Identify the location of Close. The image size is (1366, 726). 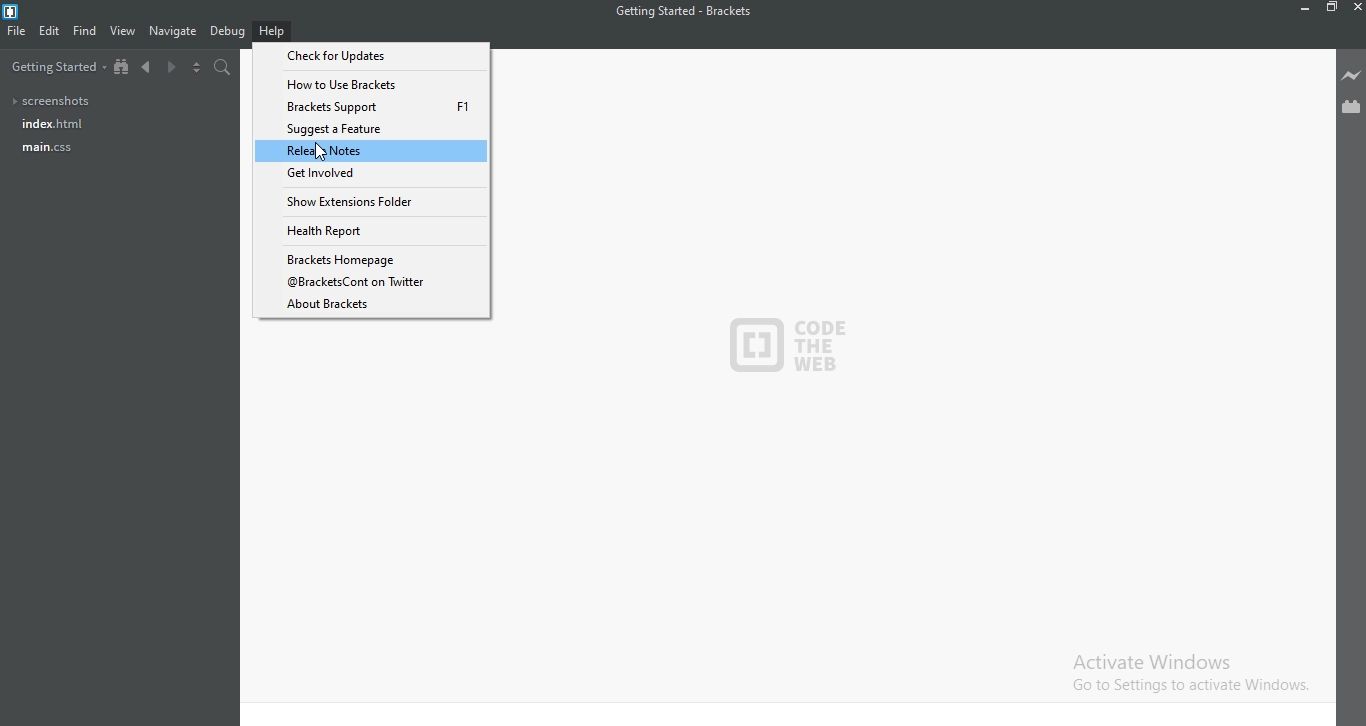
(1357, 10).